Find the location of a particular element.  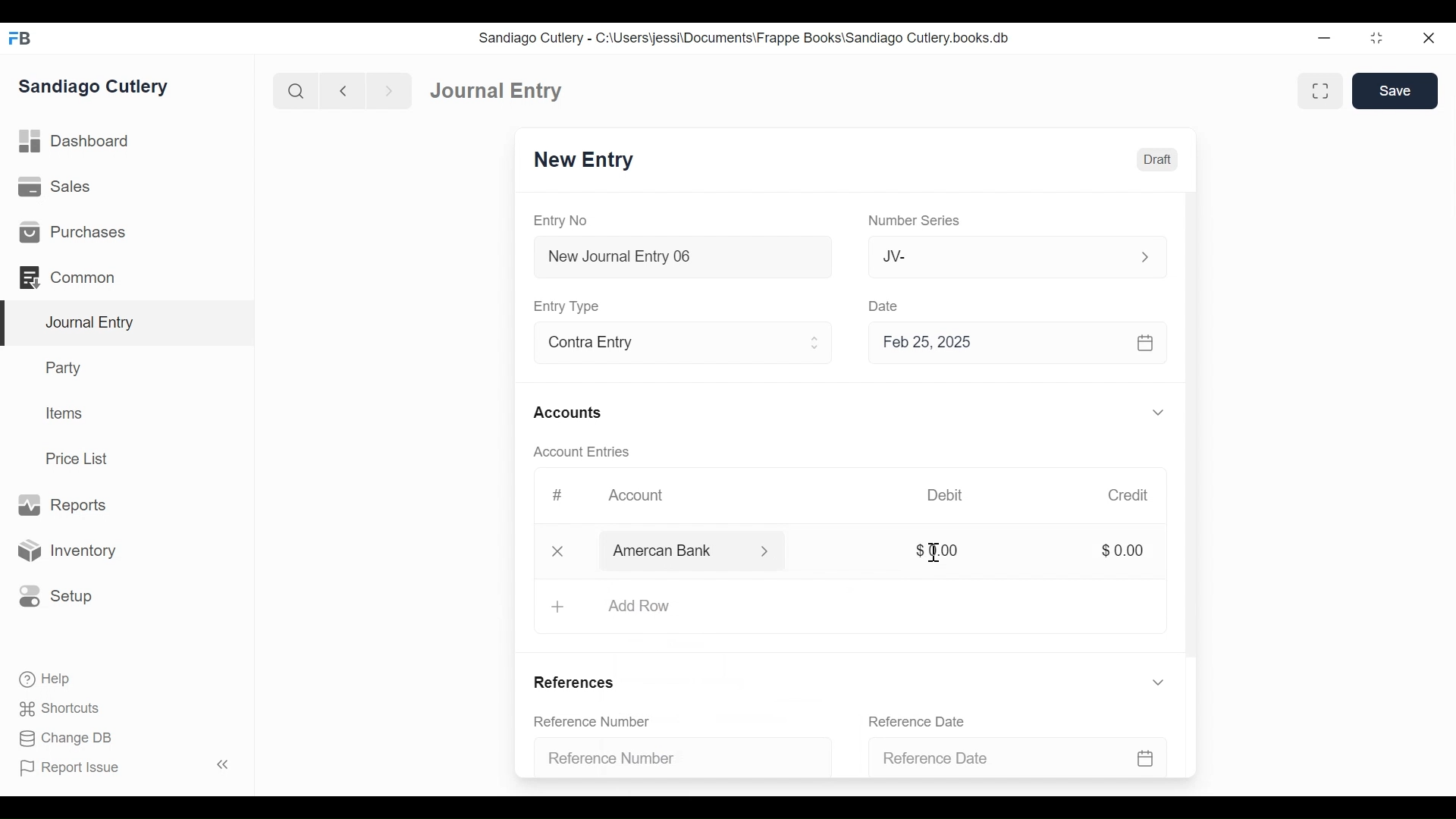

Toggle between form and full width is located at coordinates (1320, 91).